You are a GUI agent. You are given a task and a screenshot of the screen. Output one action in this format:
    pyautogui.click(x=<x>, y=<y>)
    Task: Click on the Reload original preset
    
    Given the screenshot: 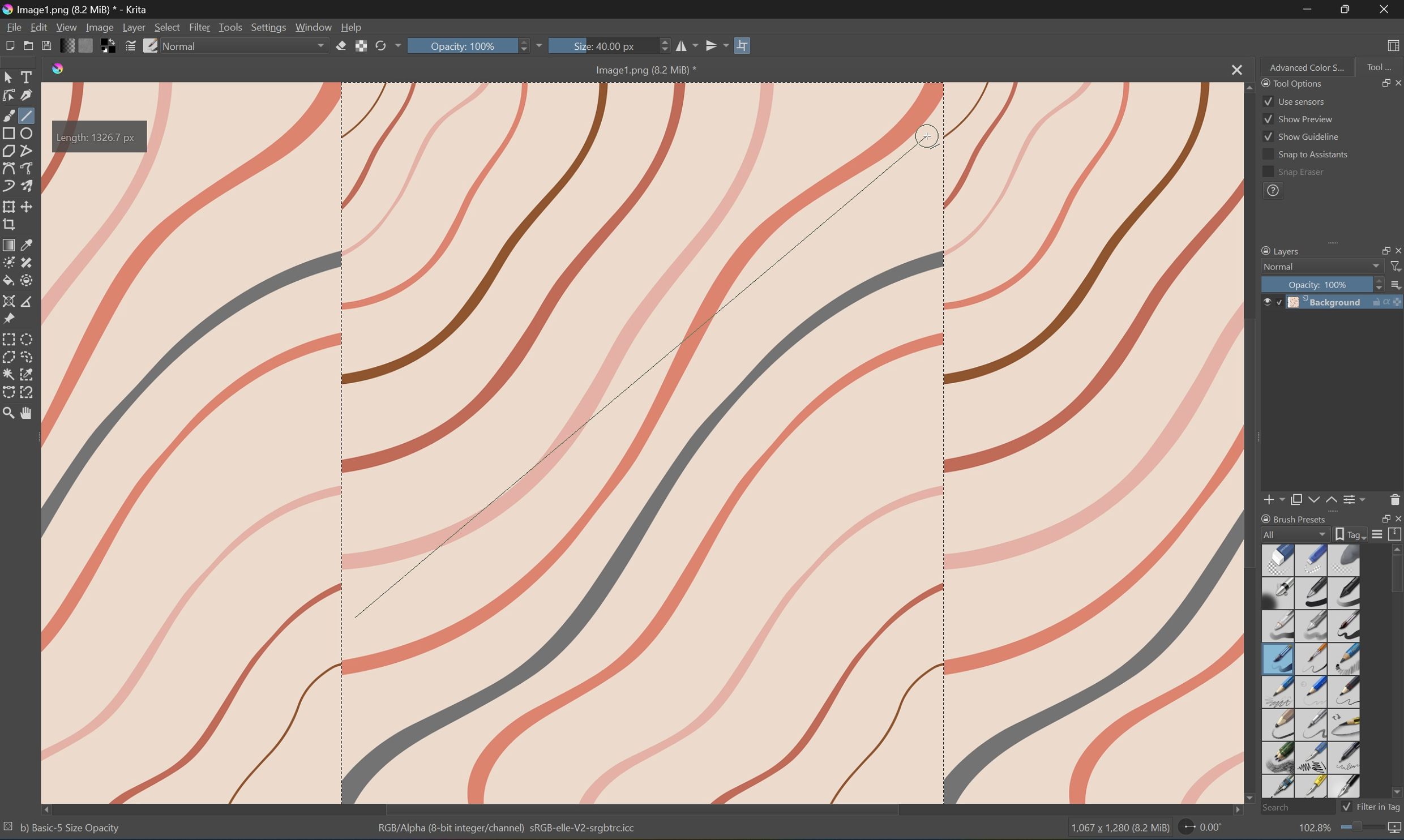 What is the action you would take?
    pyautogui.click(x=380, y=46)
    